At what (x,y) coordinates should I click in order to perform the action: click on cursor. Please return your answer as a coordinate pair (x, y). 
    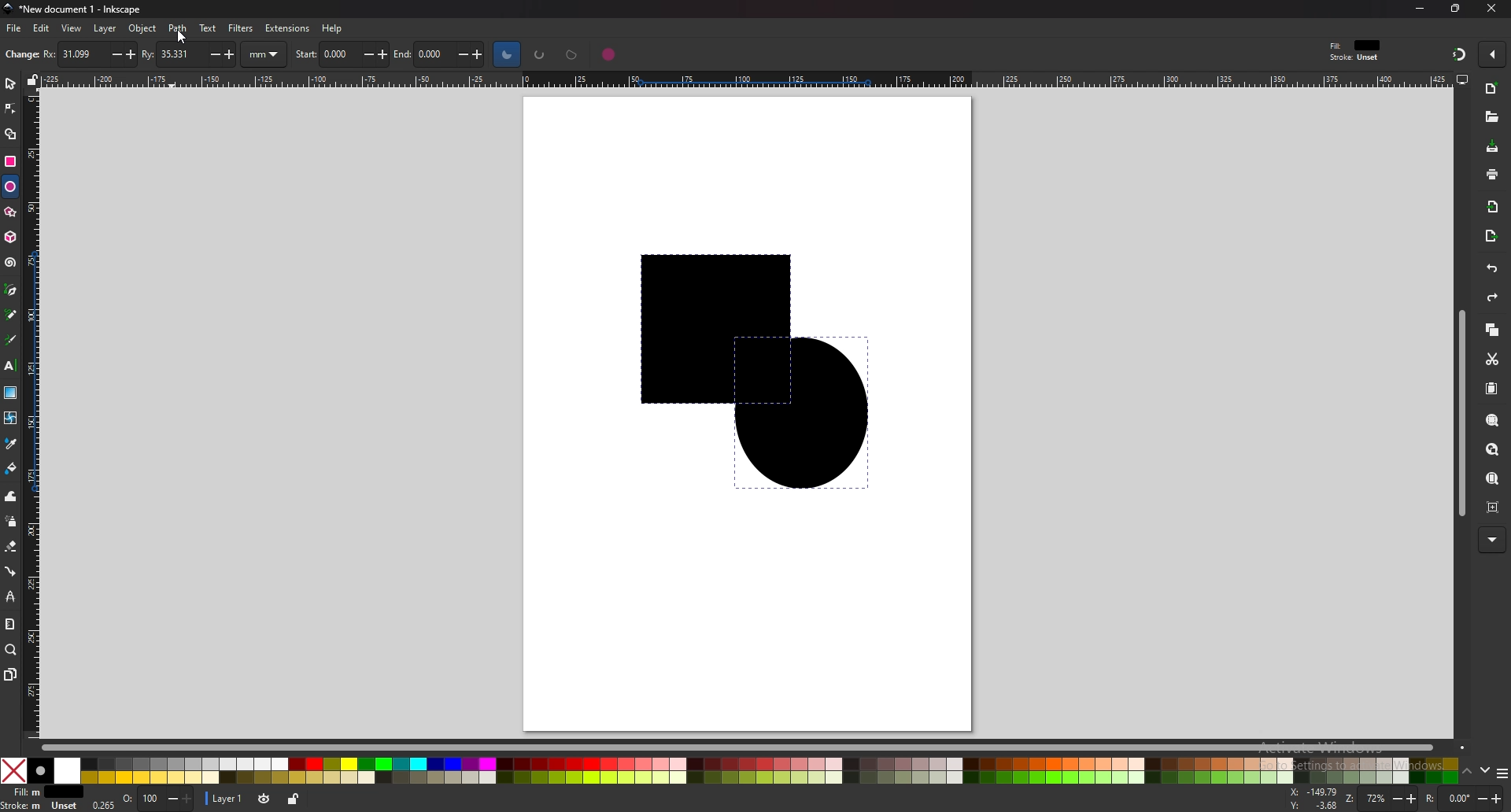
    Looking at the image, I should click on (181, 35).